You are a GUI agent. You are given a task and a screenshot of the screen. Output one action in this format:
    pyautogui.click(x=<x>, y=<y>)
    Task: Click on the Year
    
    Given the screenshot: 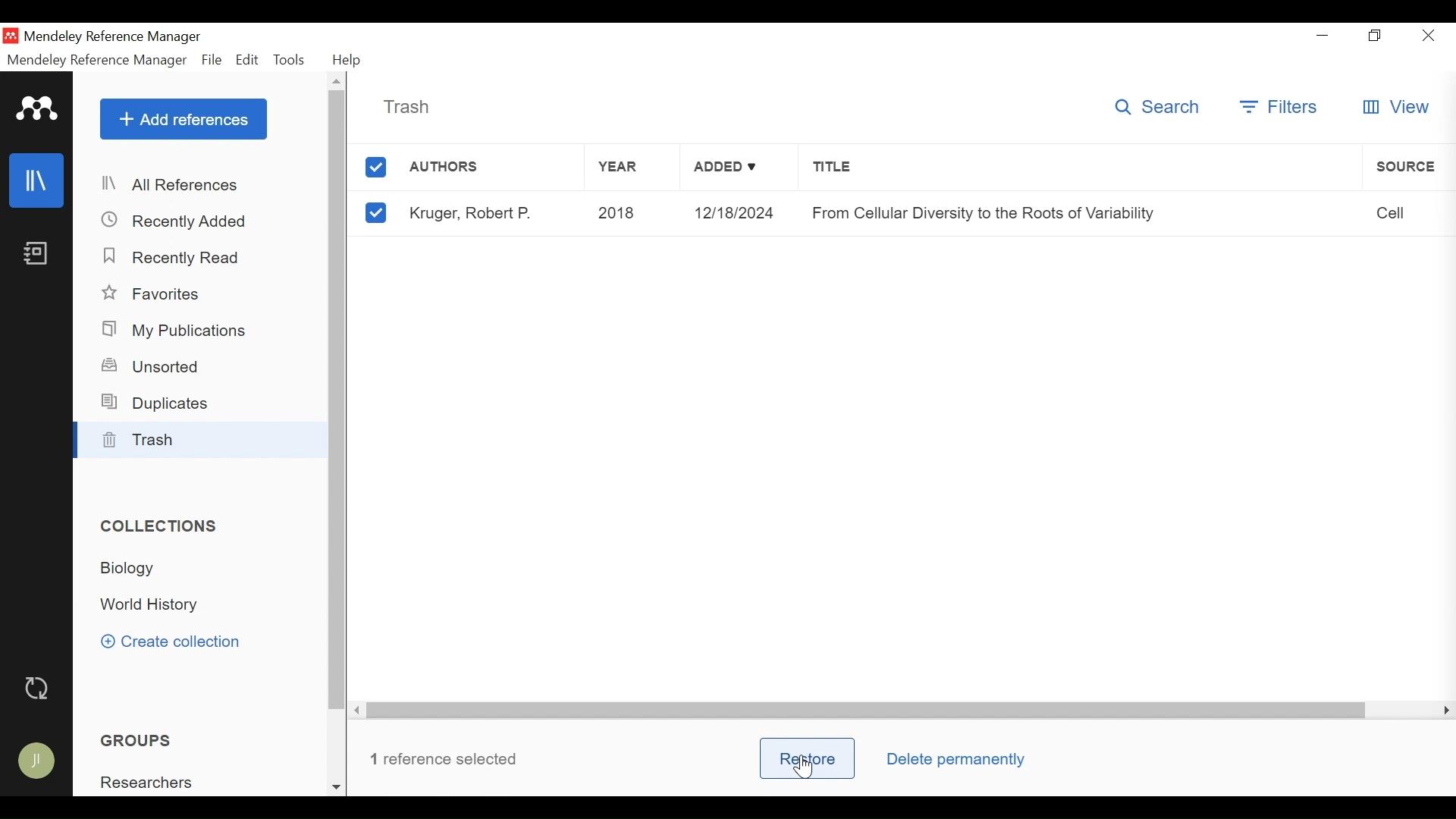 What is the action you would take?
    pyautogui.click(x=633, y=170)
    